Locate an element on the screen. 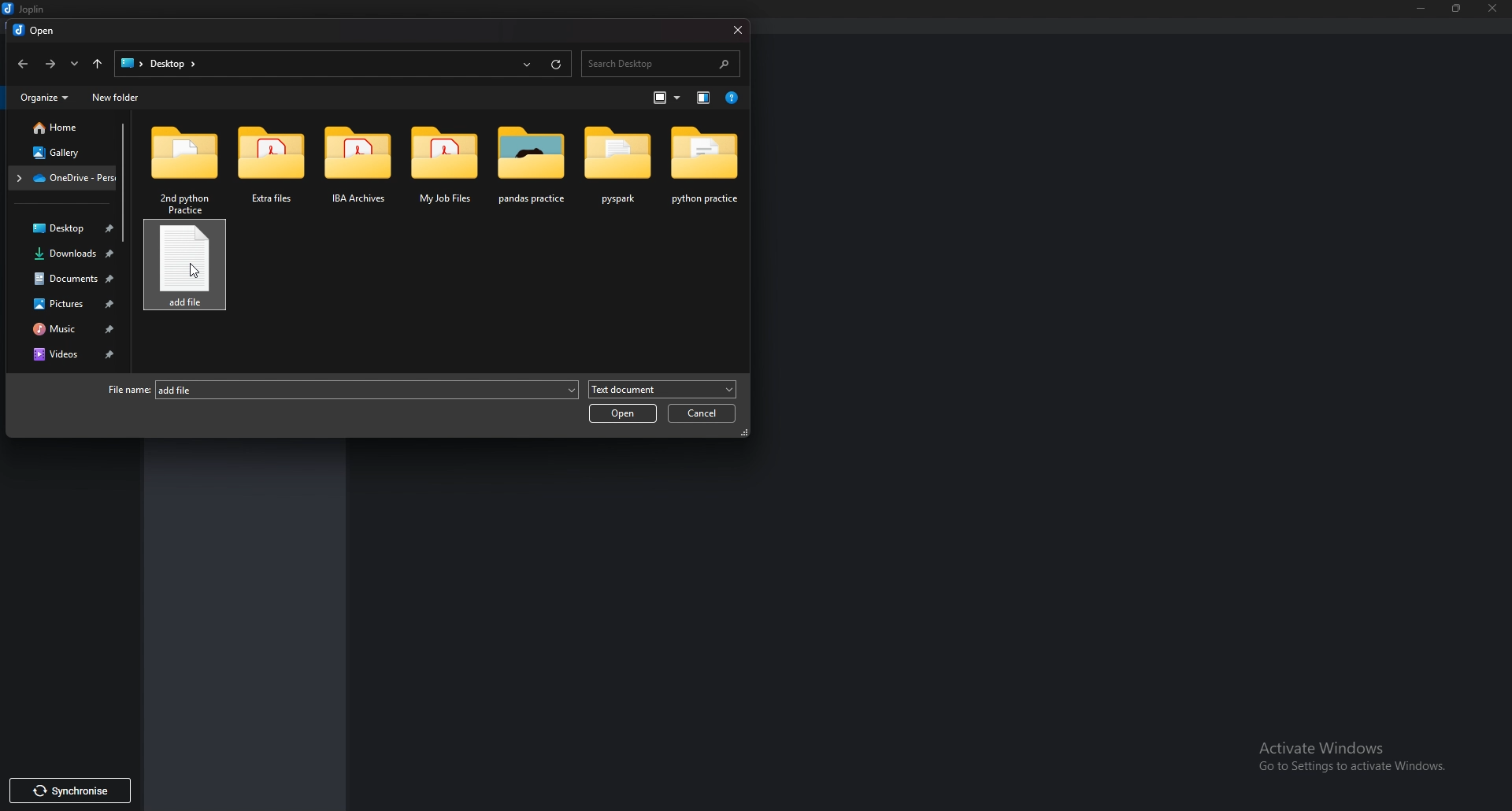 Image resolution: width=1512 pixels, height=811 pixels. File name is located at coordinates (128, 390).